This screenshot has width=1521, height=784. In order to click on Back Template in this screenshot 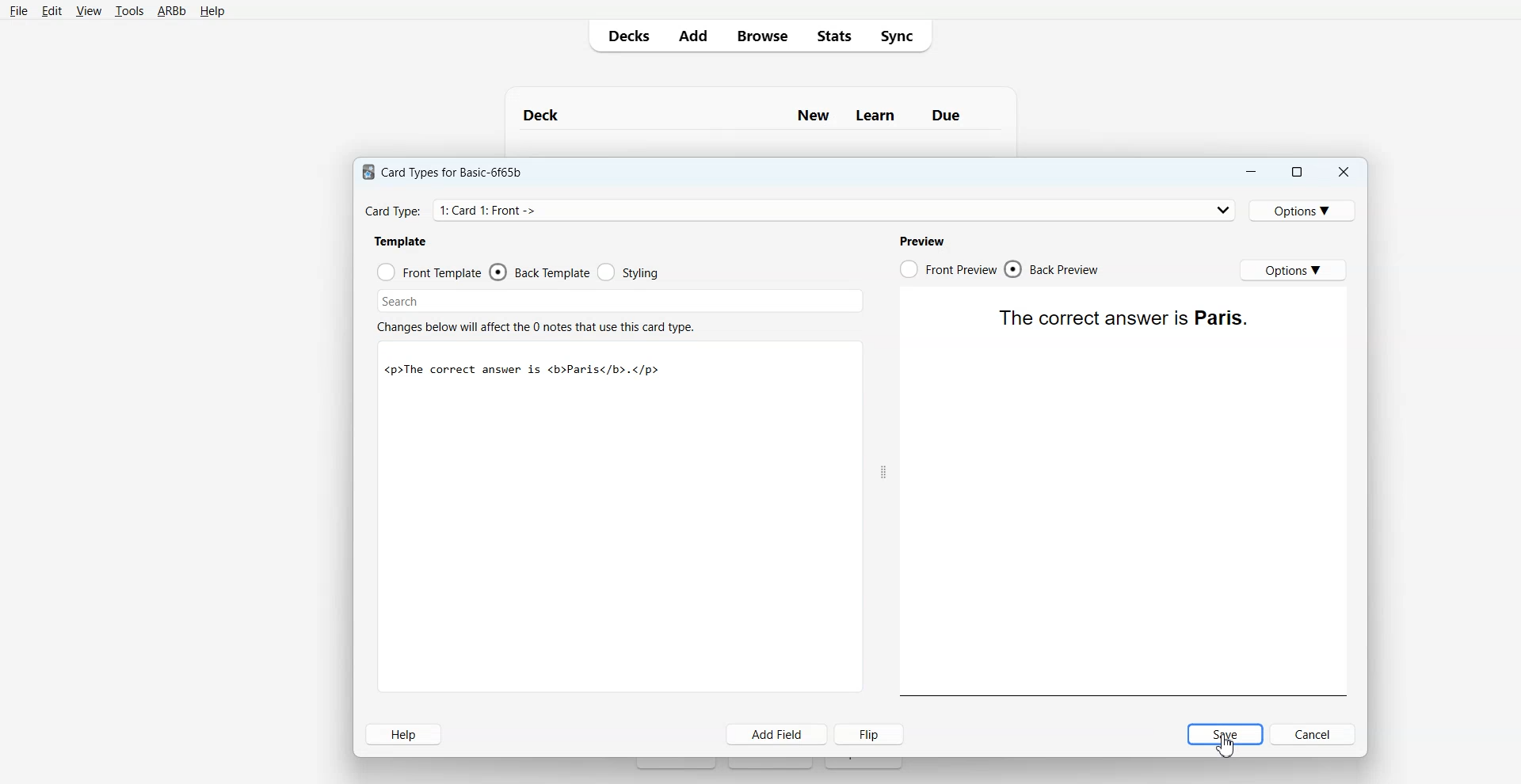, I will do `click(539, 272)`.